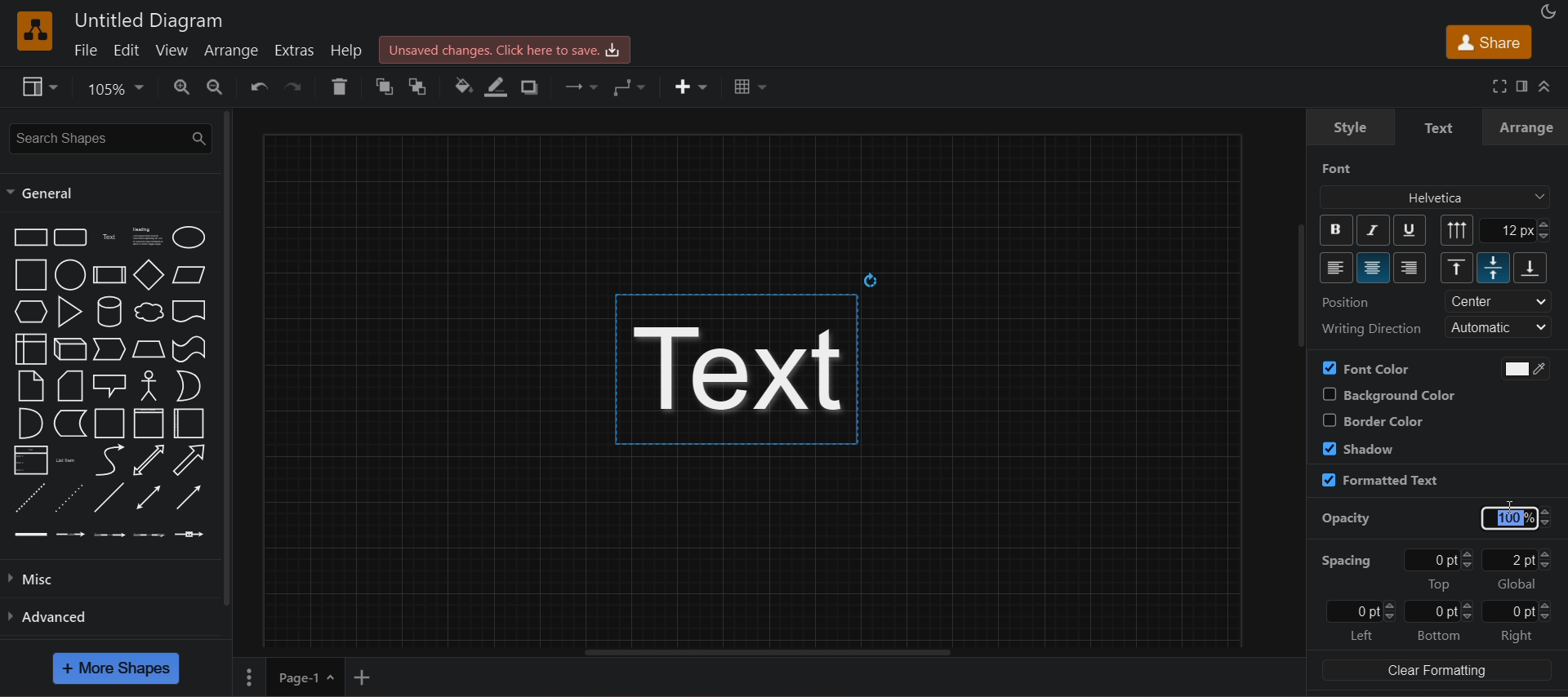 Image resolution: width=1568 pixels, height=697 pixels. What do you see at coordinates (110, 423) in the screenshot?
I see `container` at bounding box center [110, 423].